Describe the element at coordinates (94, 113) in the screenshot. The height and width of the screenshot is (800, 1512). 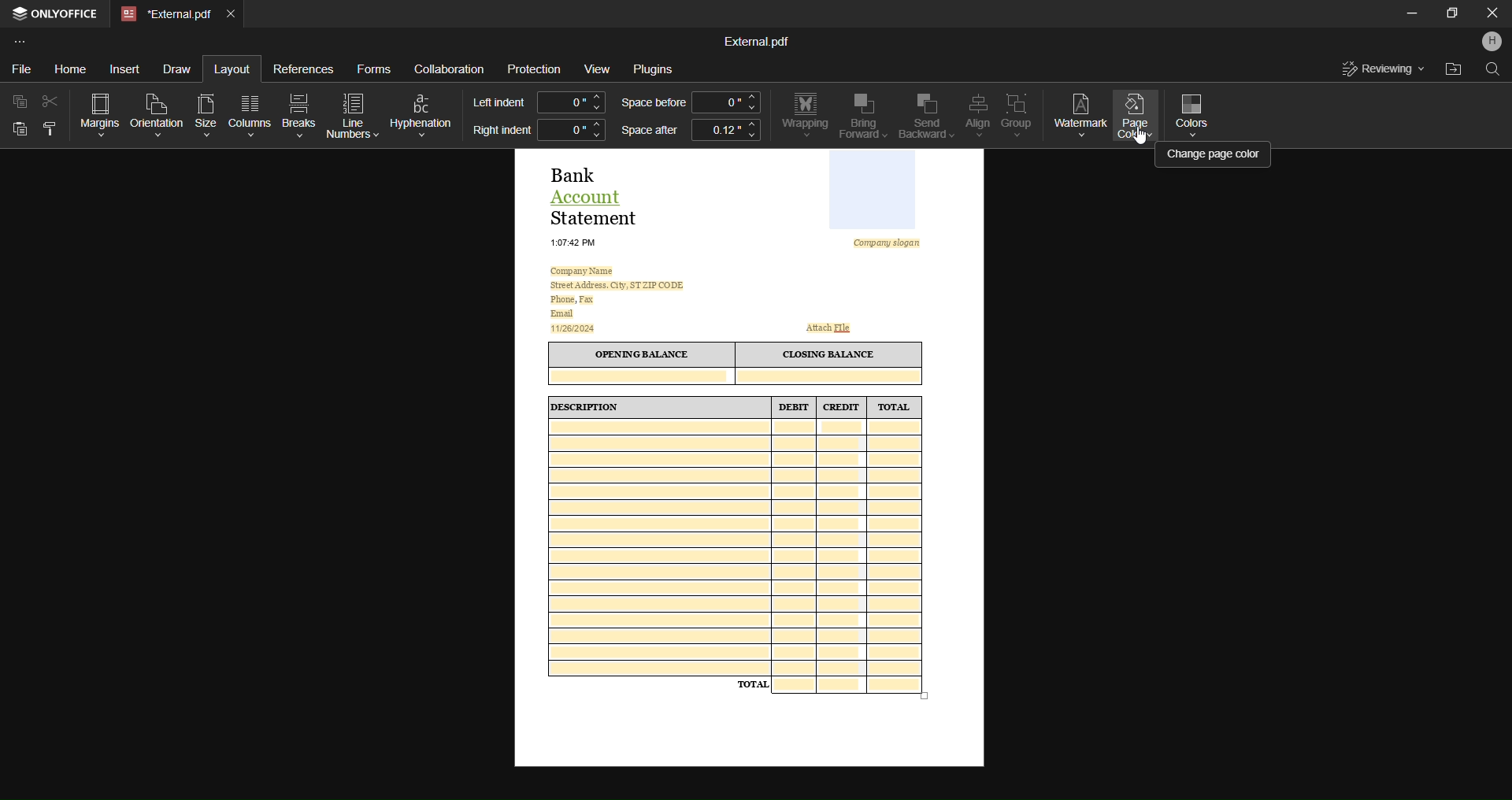
I see `Margins` at that location.